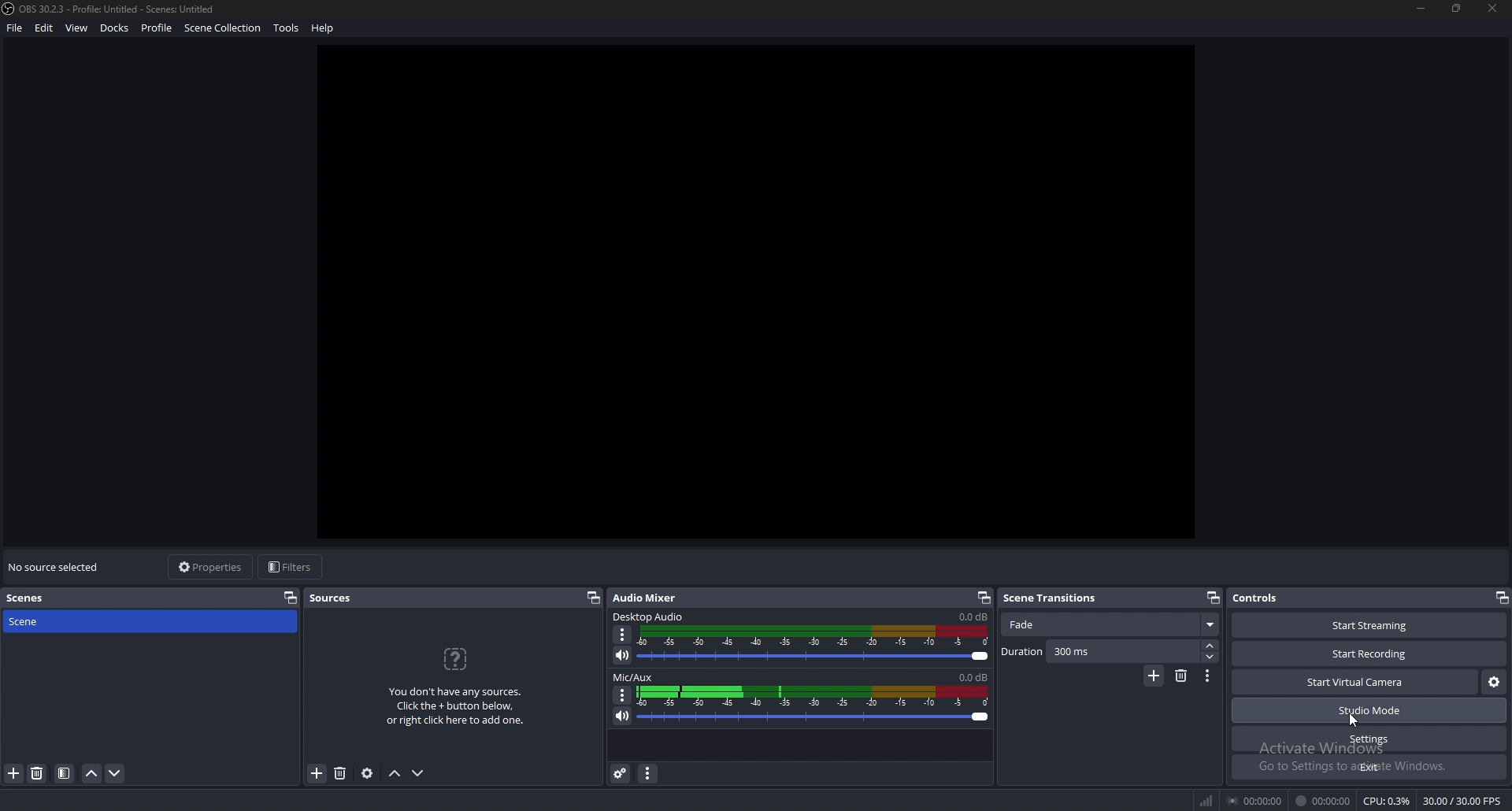  Describe the element at coordinates (421, 772) in the screenshot. I see `Move sources down` at that location.